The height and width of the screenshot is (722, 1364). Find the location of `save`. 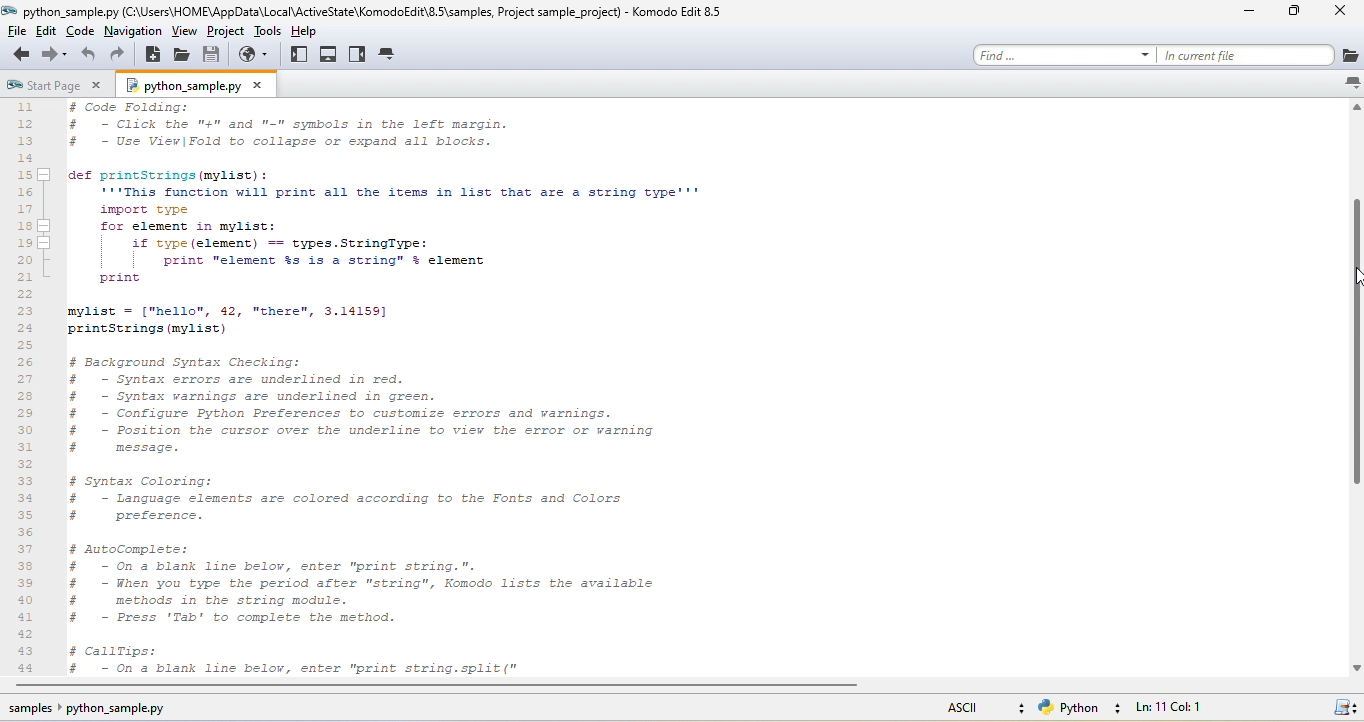

save is located at coordinates (213, 56).